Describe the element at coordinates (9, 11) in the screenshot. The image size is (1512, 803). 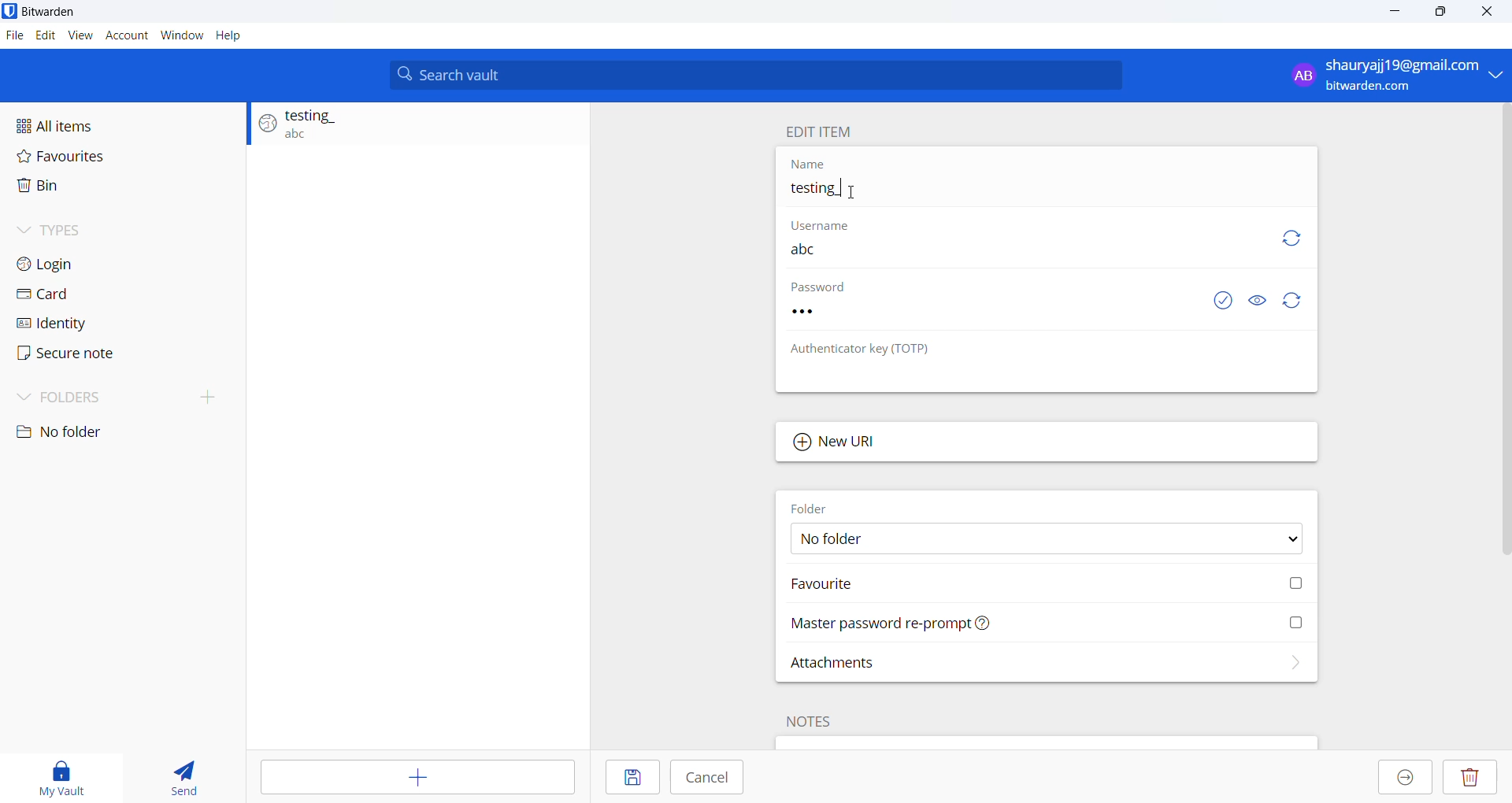
I see `application logo` at that location.